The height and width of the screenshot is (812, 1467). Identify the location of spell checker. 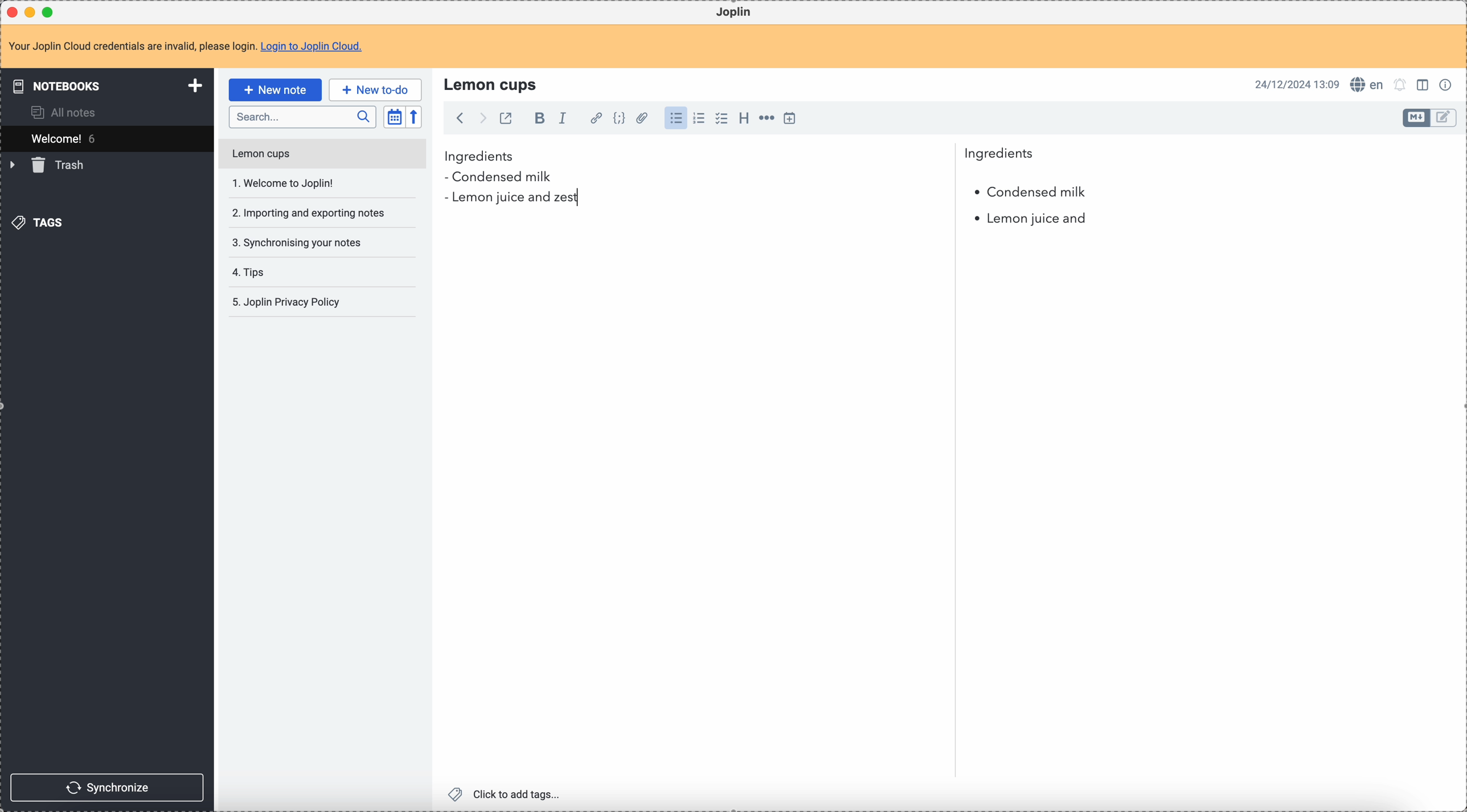
(1370, 84).